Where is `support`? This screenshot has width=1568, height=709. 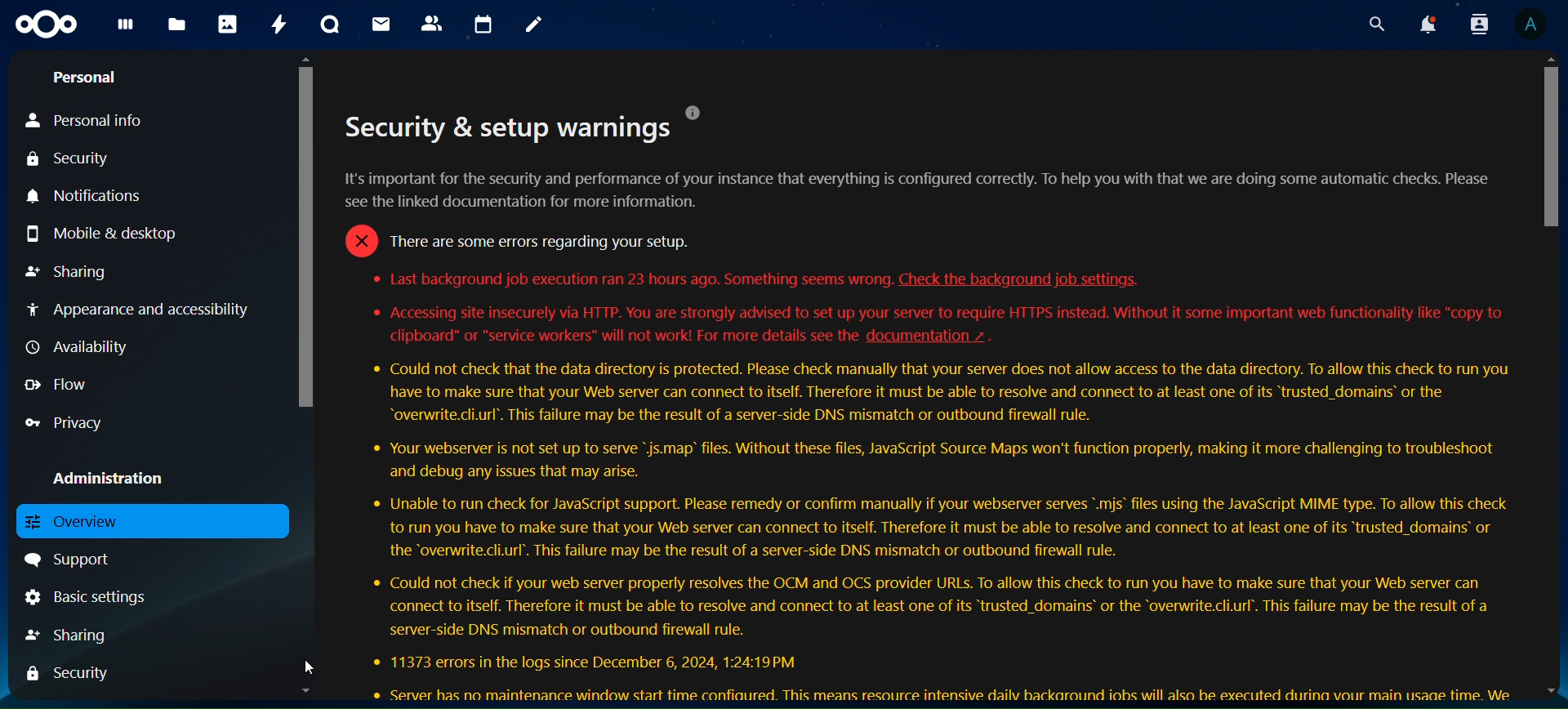
support is located at coordinates (69, 559).